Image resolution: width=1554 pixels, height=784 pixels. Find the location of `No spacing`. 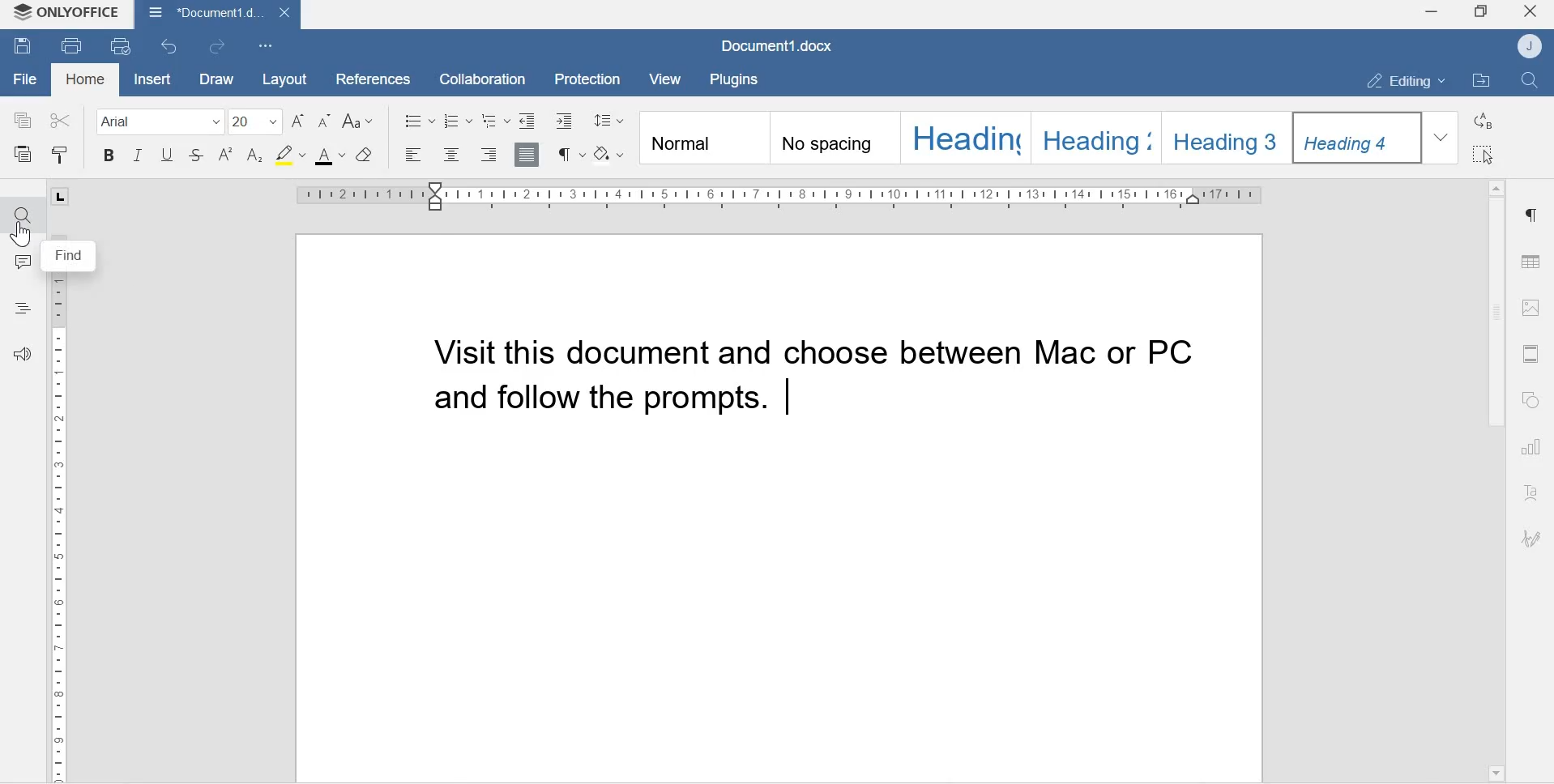

No spacing is located at coordinates (835, 140).